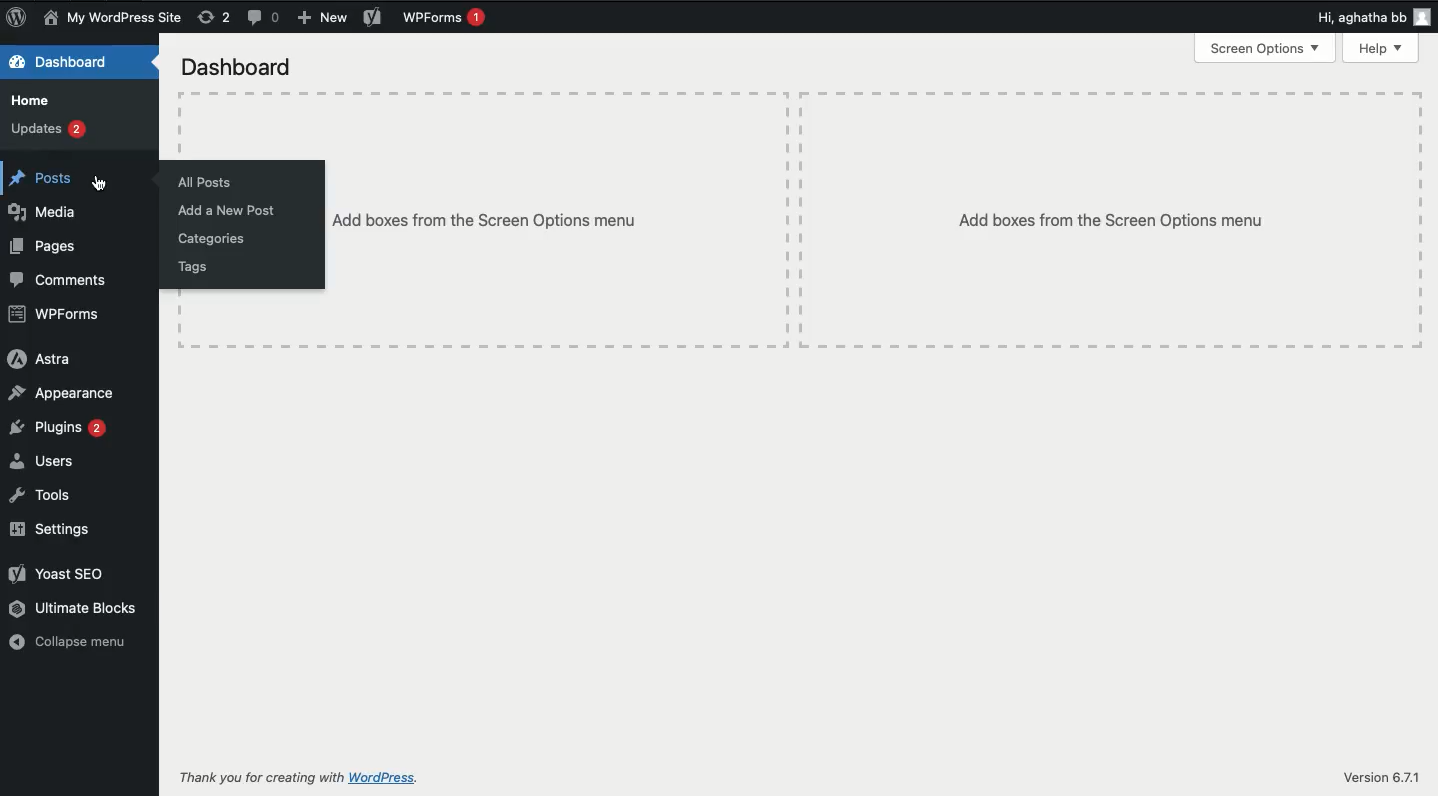  What do you see at coordinates (320, 19) in the screenshot?
I see `Add` at bounding box center [320, 19].